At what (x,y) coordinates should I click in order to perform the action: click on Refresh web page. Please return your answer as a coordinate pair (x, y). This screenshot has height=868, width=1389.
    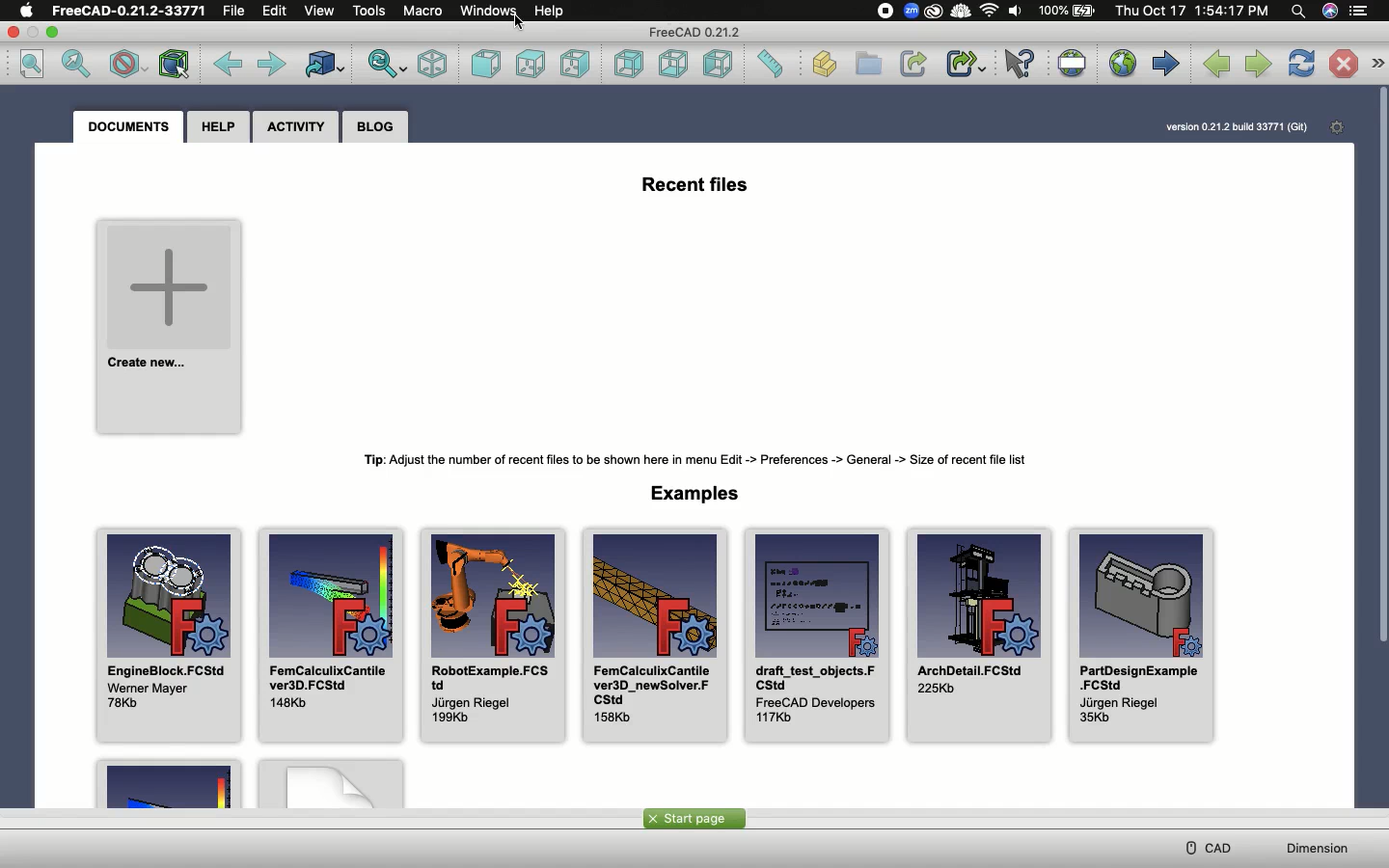
    Looking at the image, I should click on (1302, 64).